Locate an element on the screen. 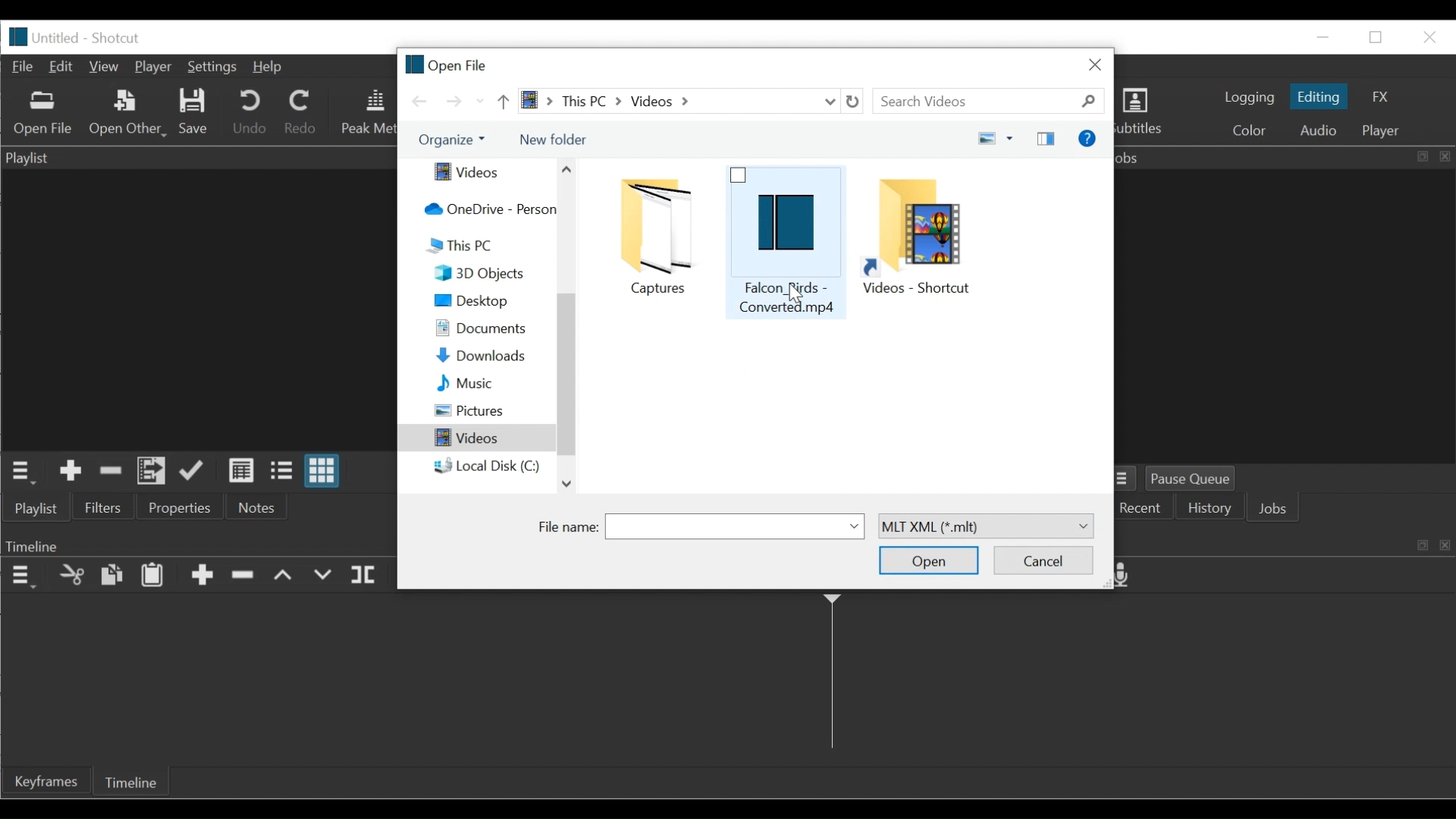 The width and height of the screenshot is (1456, 819). Open file is located at coordinates (447, 63).